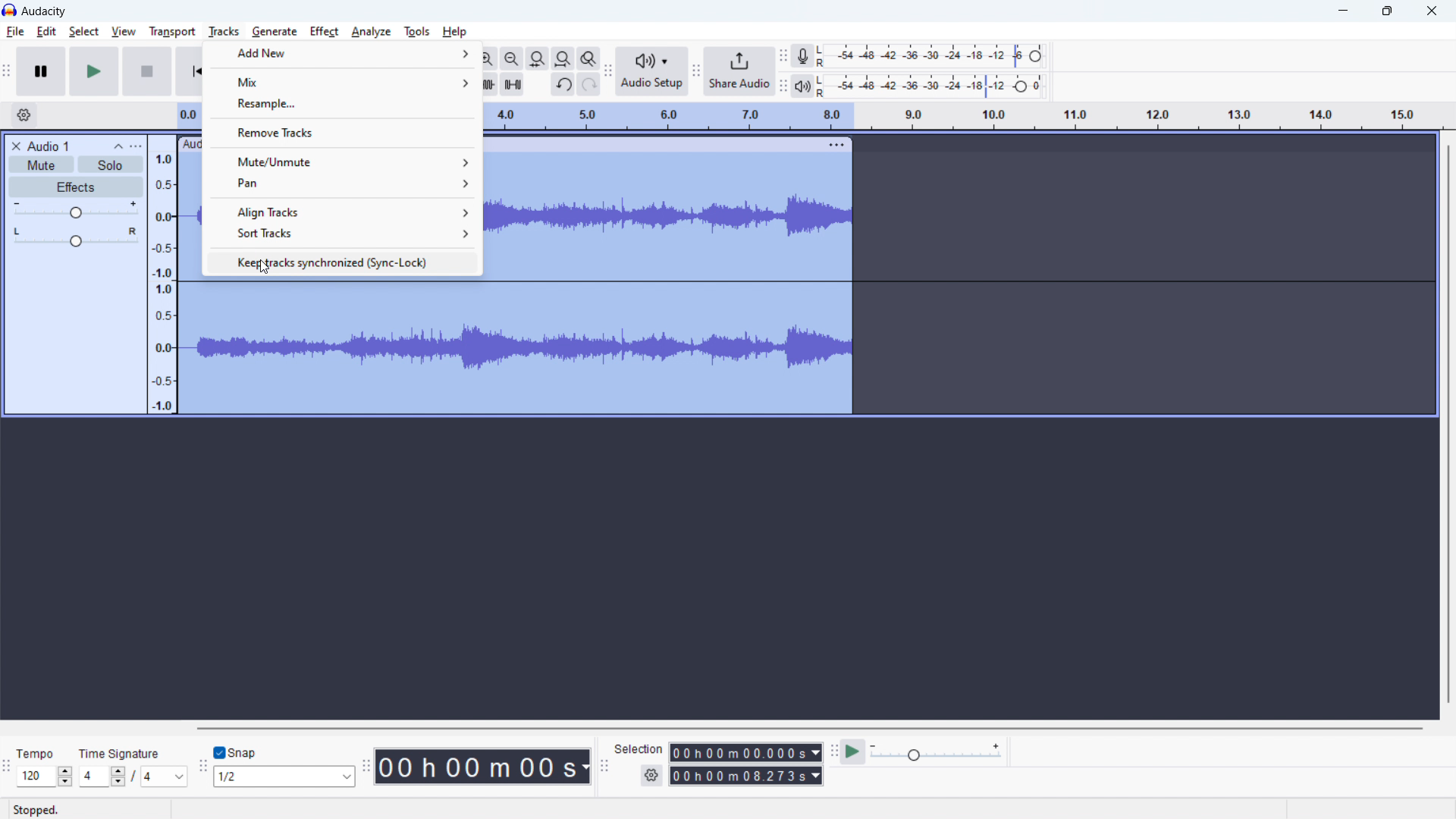  What do you see at coordinates (133, 777) in the screenshot?
I see `time signature` at bounding box center [133, 777].